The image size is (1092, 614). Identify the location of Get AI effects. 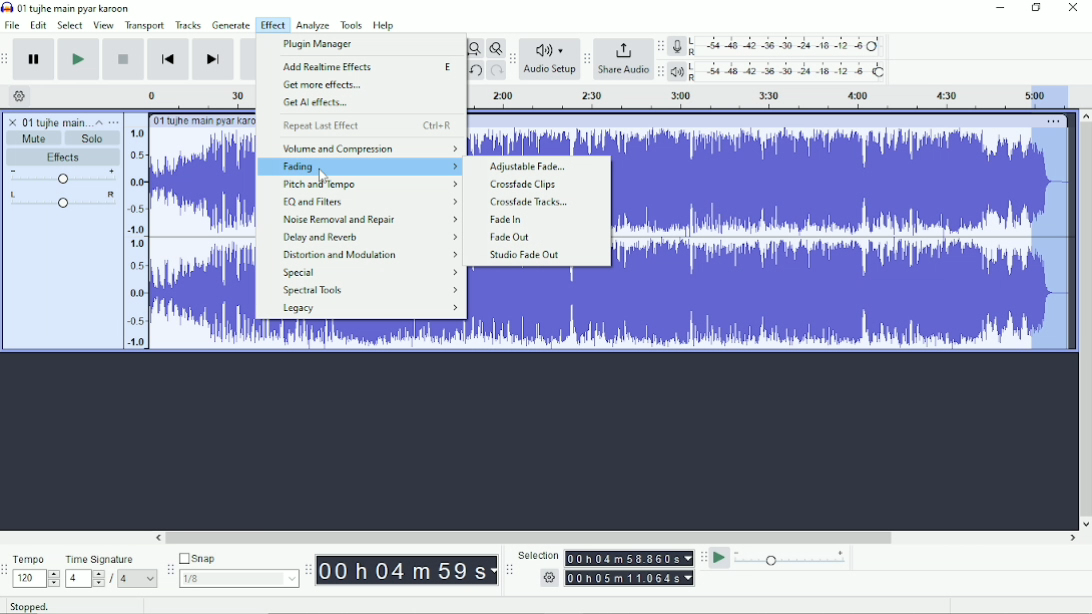
(320, 102).